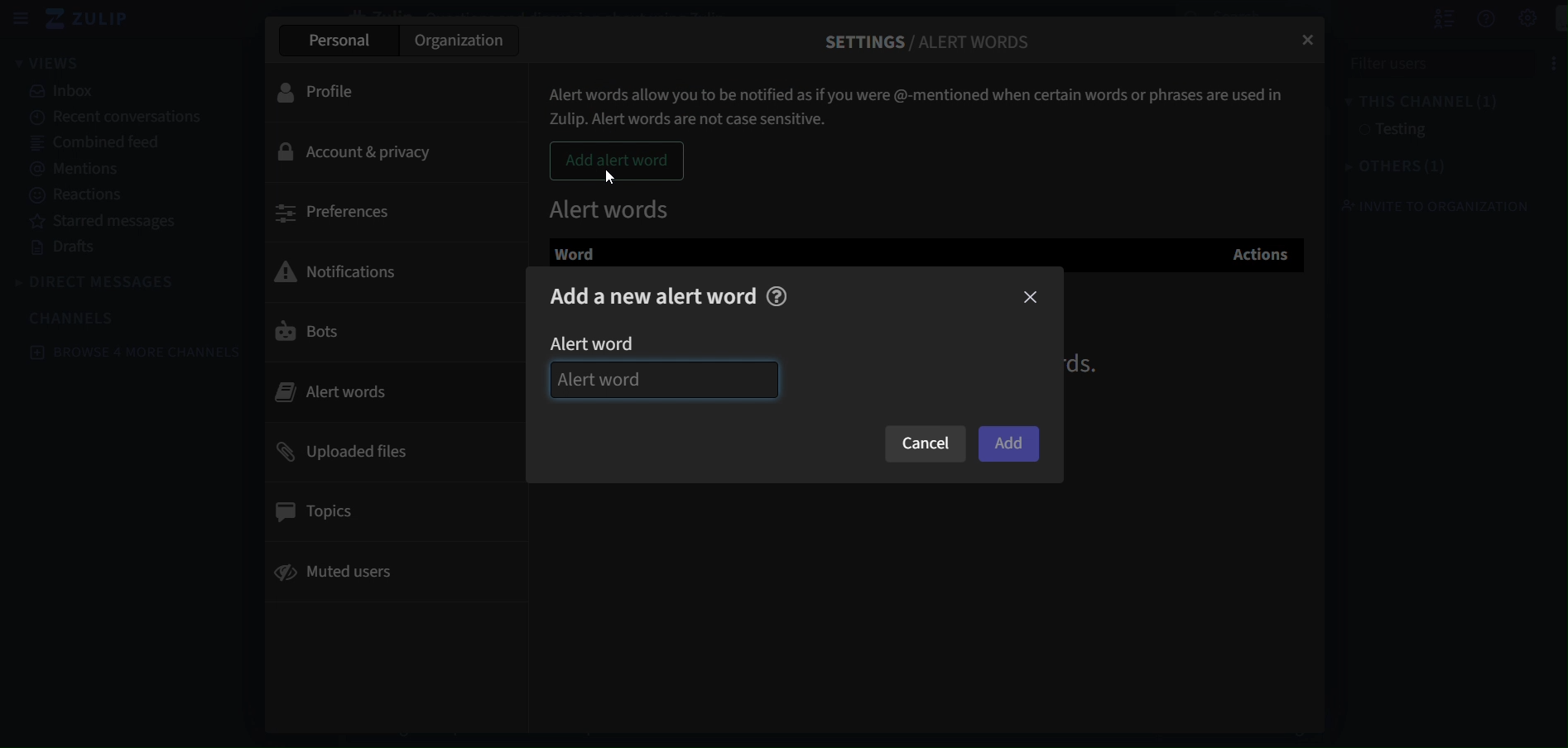 This screenshot has width=1568, height=748. Describe the element at coordinates (108, 222) in the screenshot. I see `starredmessages` at that location.